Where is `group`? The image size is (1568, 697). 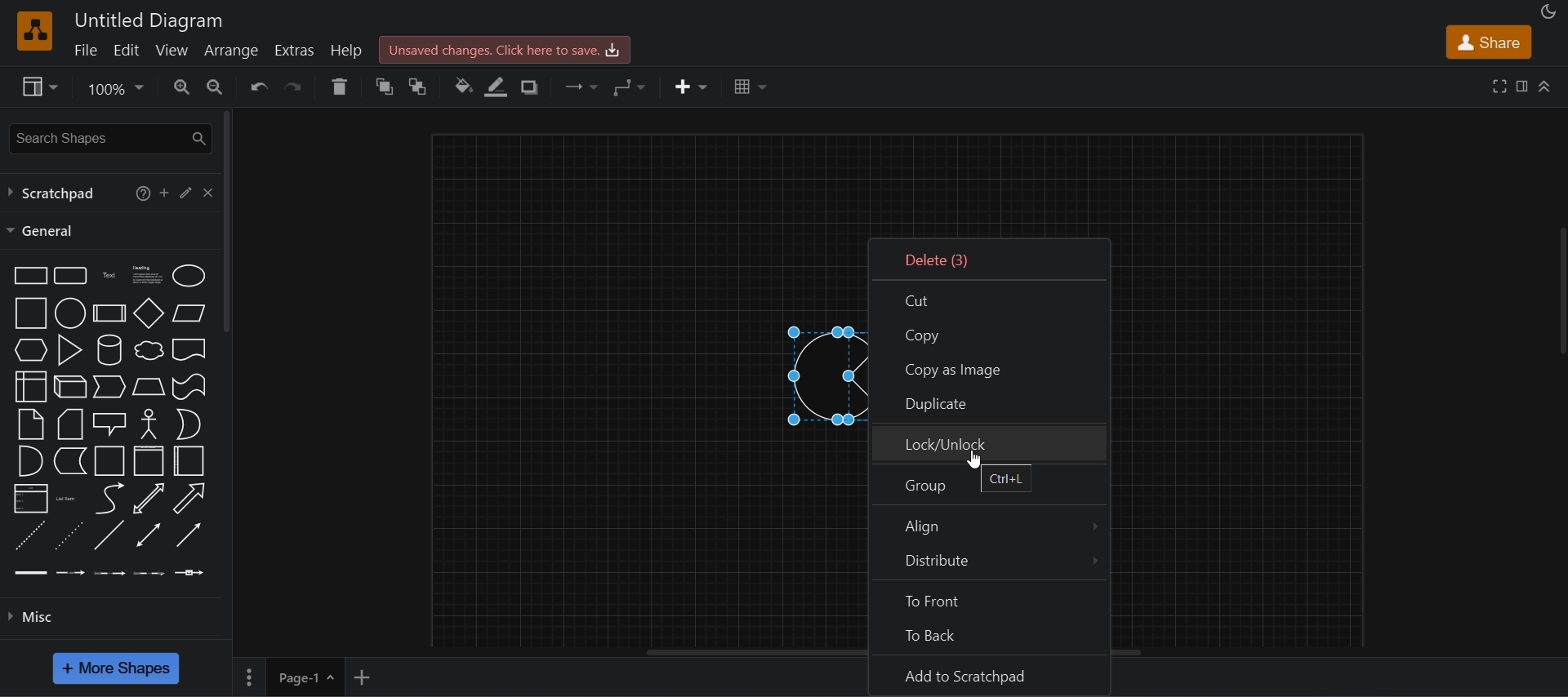
group is located at coordinates (988, 484).